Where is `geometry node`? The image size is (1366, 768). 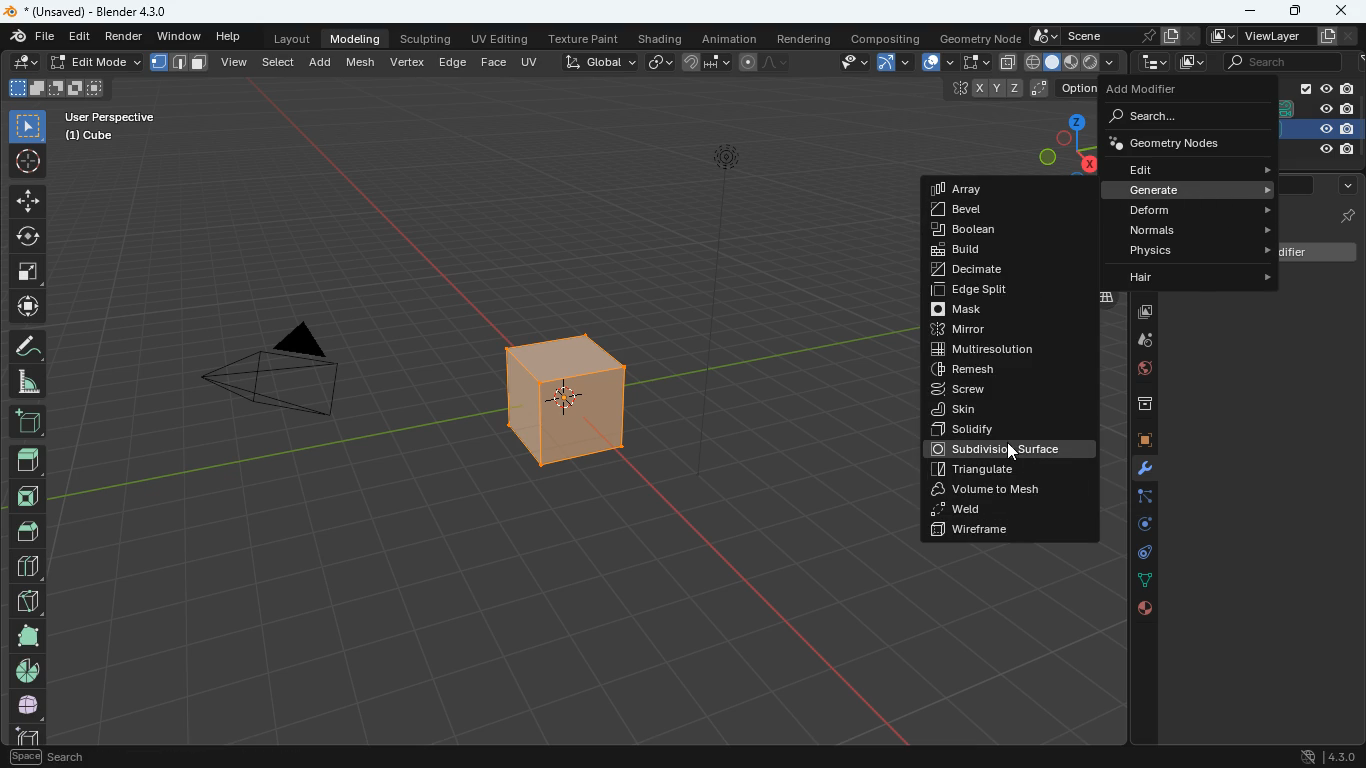 geometry node is located at coordinates (975, 37).